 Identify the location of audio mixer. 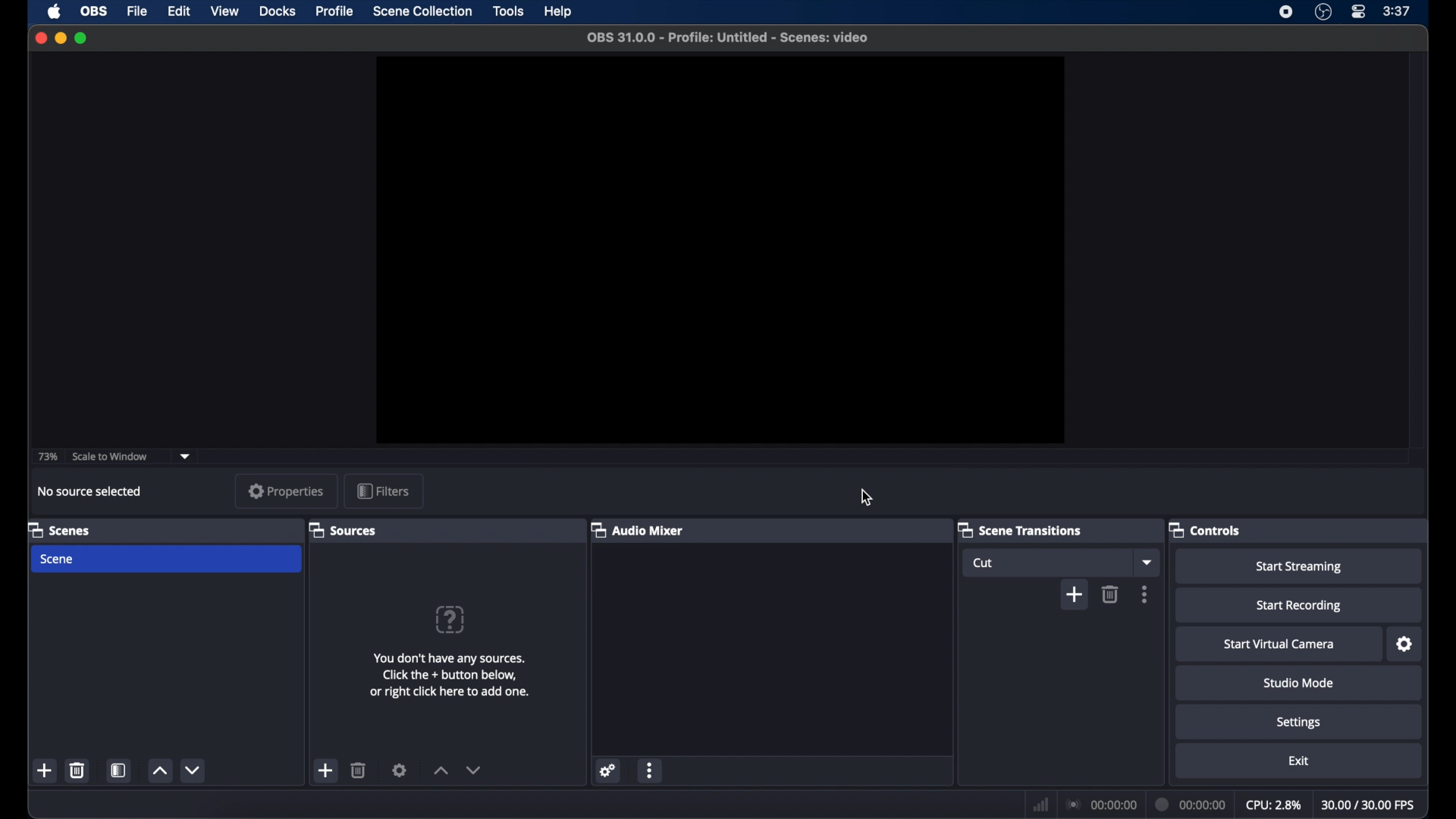
(638, 529).